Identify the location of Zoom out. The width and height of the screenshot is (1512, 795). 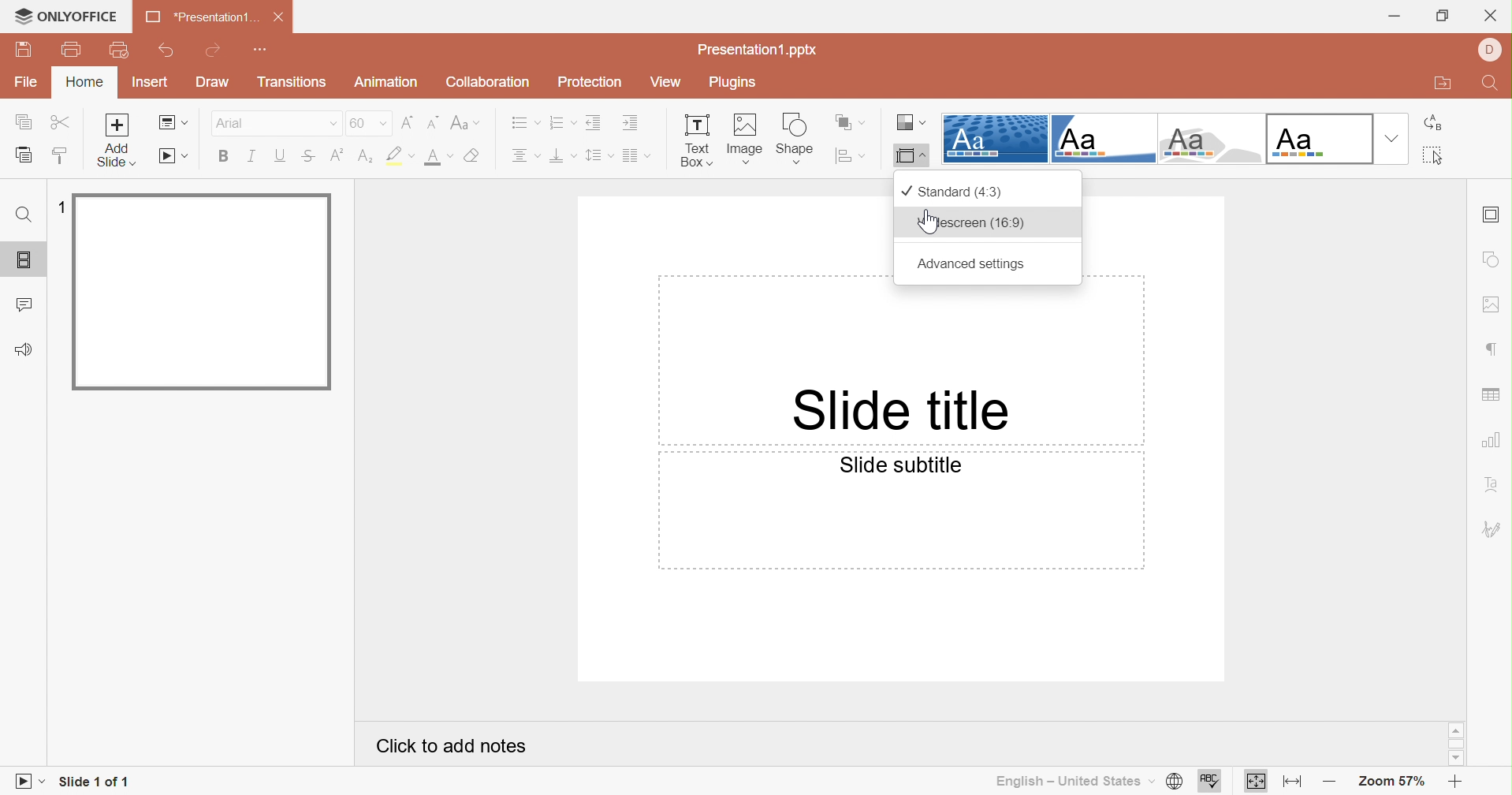
(1453, 782).